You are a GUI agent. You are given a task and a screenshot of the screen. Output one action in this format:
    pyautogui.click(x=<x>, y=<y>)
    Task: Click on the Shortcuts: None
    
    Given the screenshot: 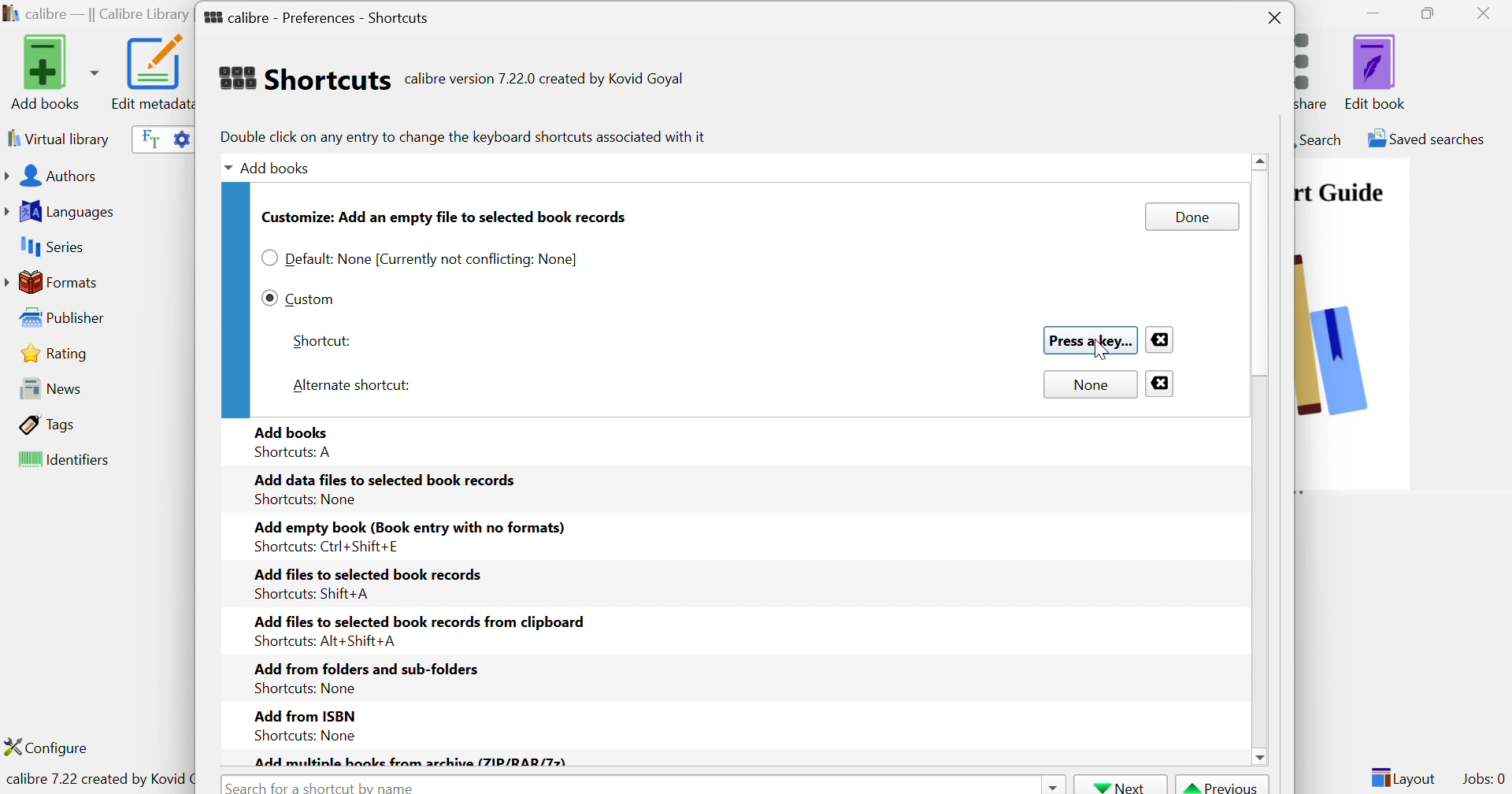 What is the action you would take?
    pyautogui.click(x=302, y=689)
    